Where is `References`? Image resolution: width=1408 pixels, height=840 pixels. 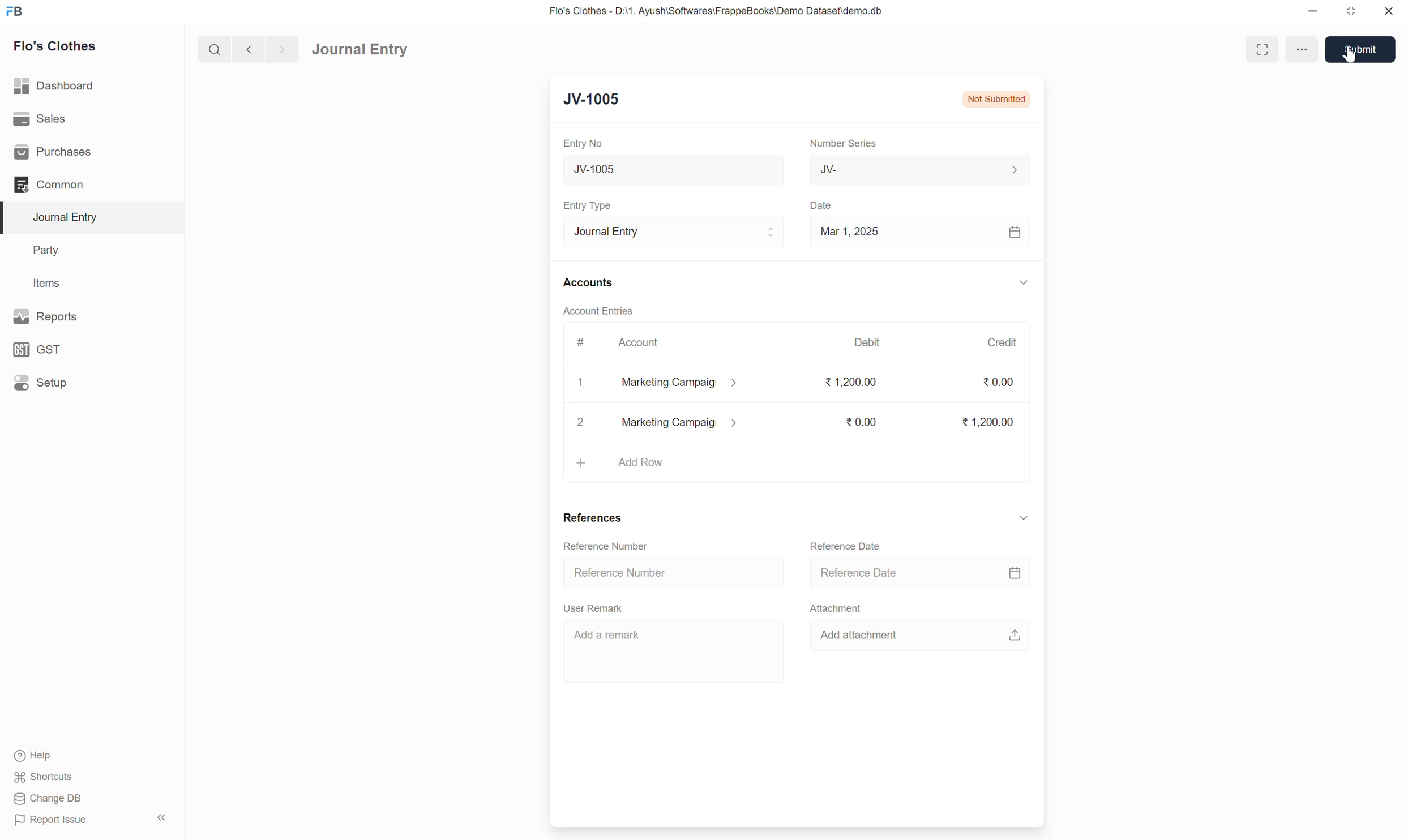
References is located at coordinates (595, 519).